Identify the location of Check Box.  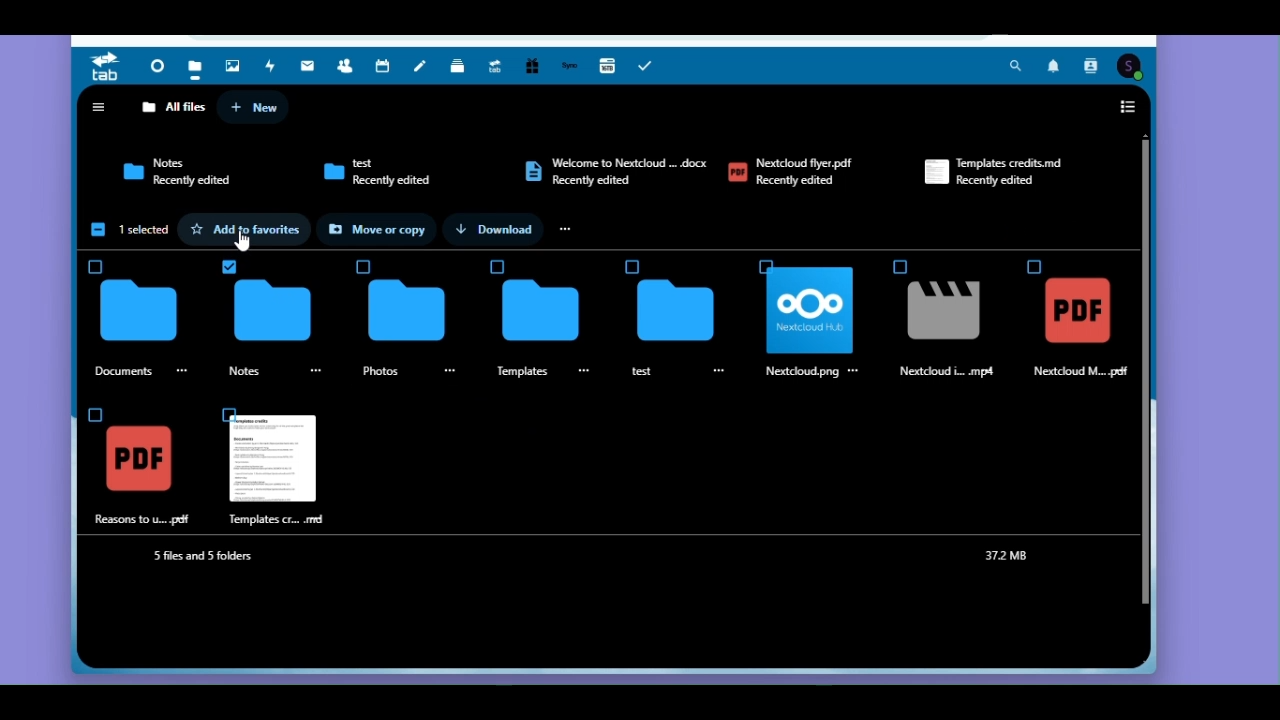
(498, 267).